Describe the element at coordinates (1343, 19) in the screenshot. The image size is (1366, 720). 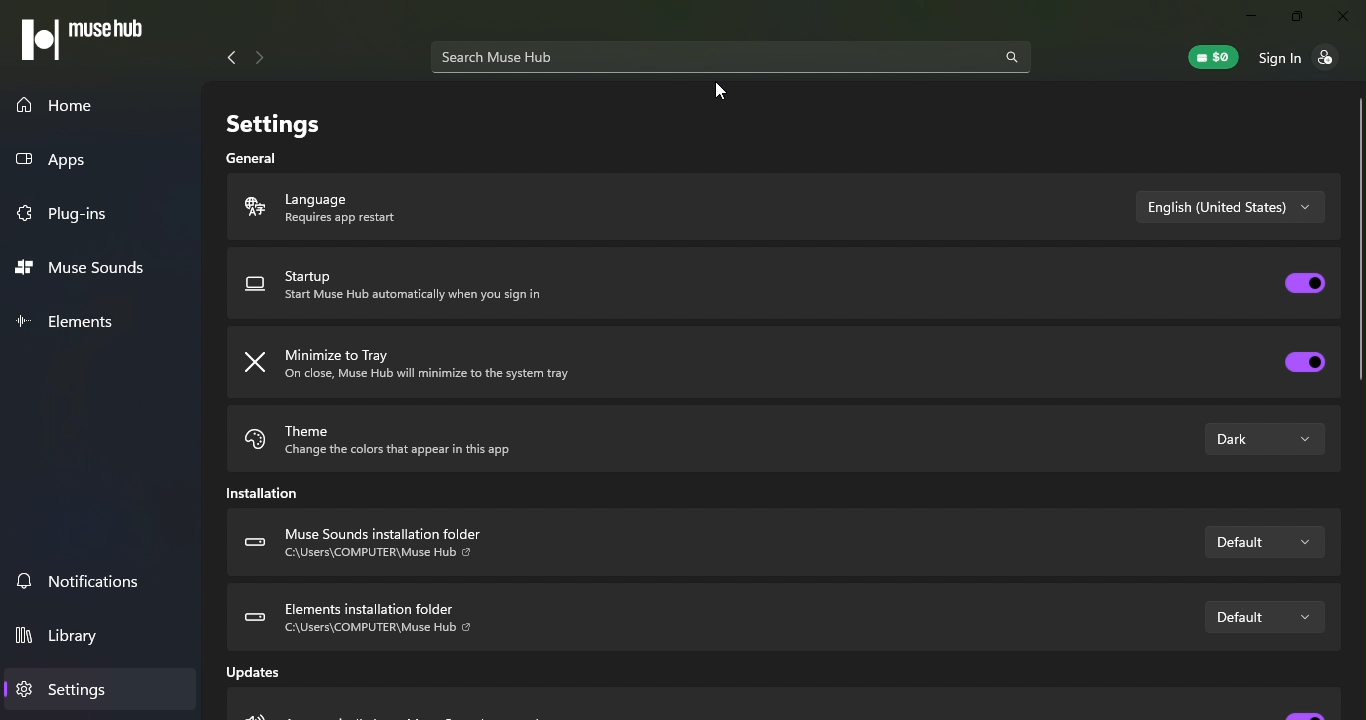
I see `Close` at that location.